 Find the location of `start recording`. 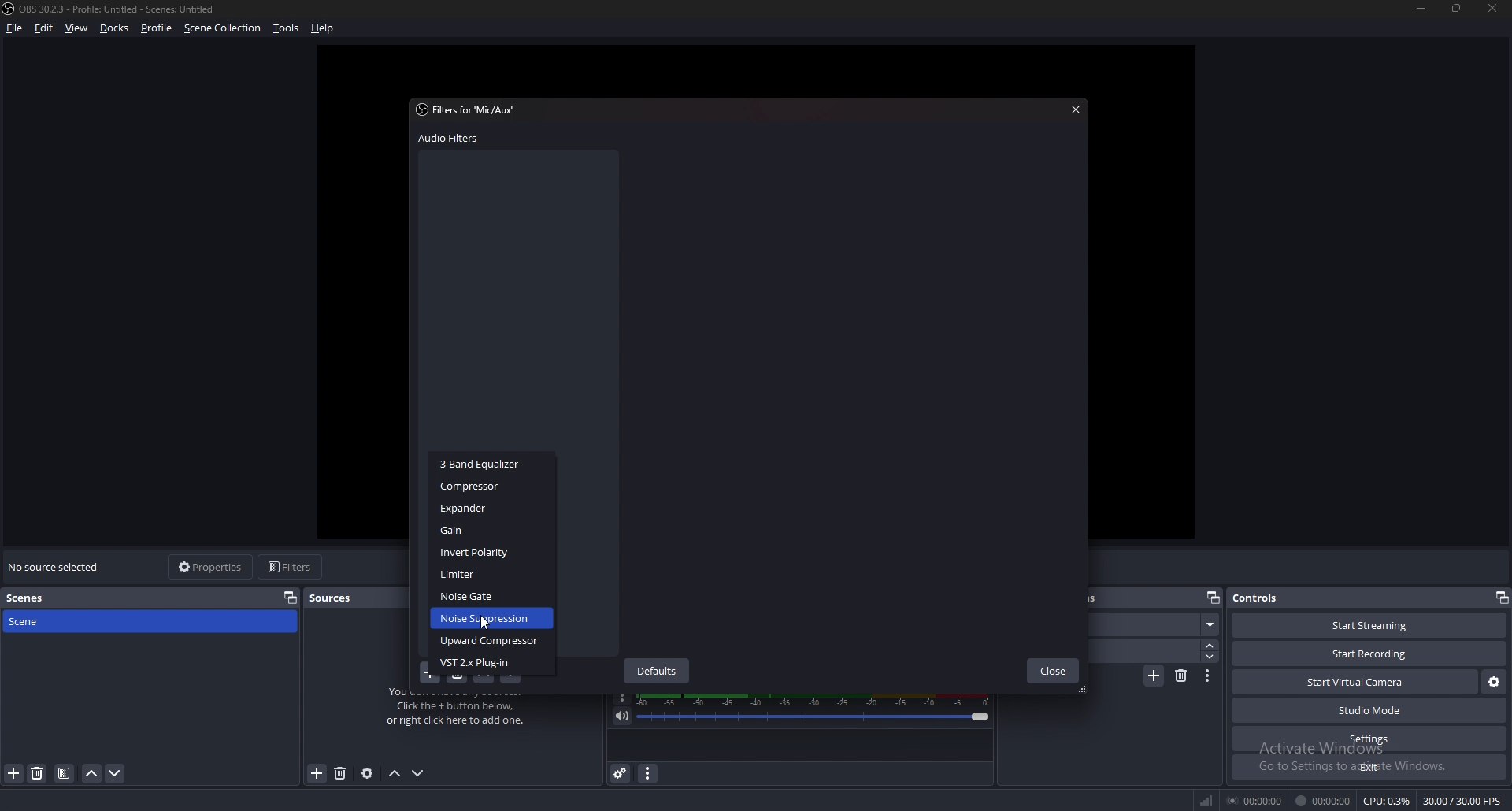

start recording is located at coordinates (1369, 654).